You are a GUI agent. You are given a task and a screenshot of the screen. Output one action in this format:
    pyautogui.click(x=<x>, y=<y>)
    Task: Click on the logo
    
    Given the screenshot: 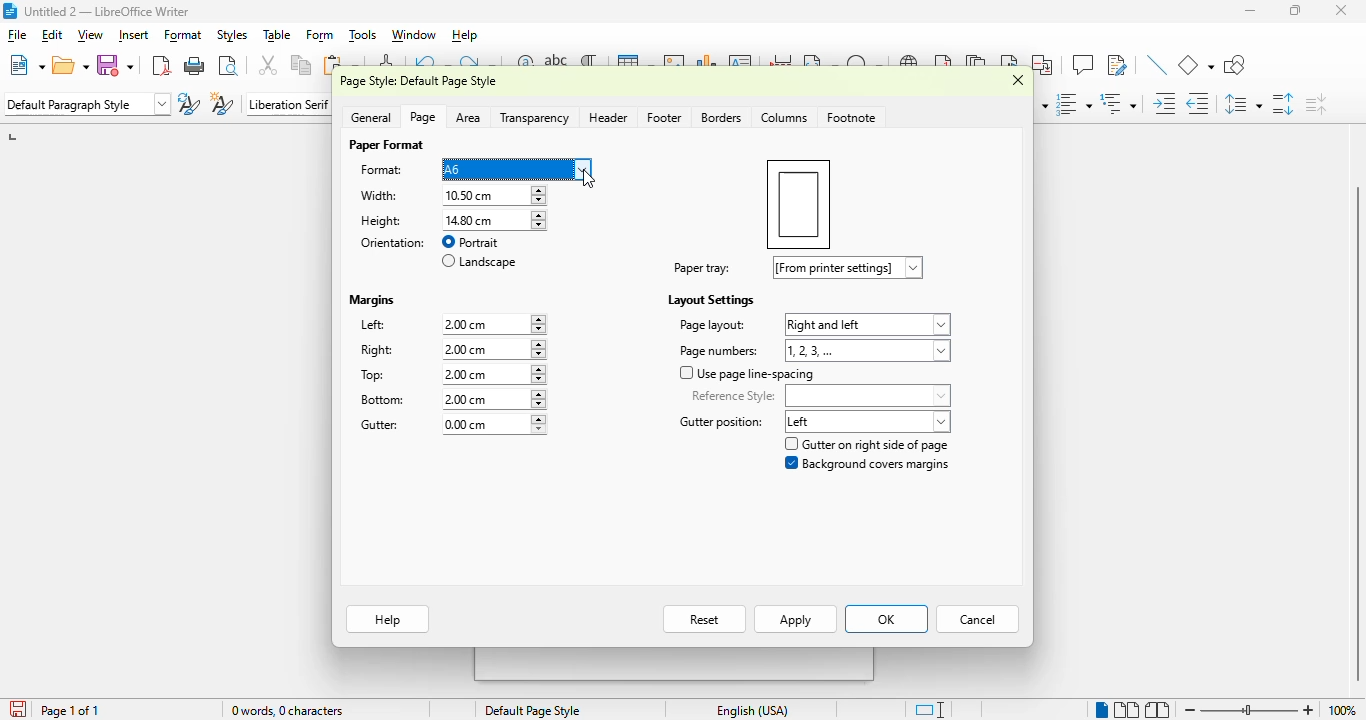 What is the action you would take?
    pyautogui.click(x=10, y=11)
    